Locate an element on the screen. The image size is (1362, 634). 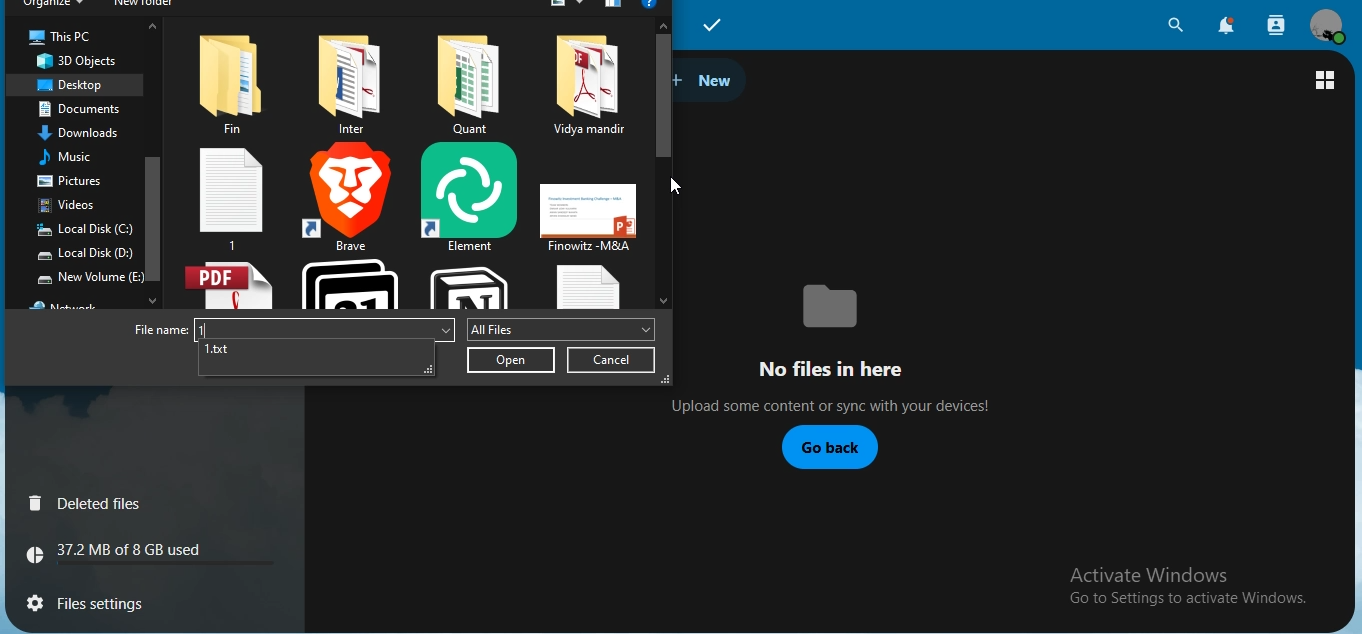
new is located at coordinates (715, 83).